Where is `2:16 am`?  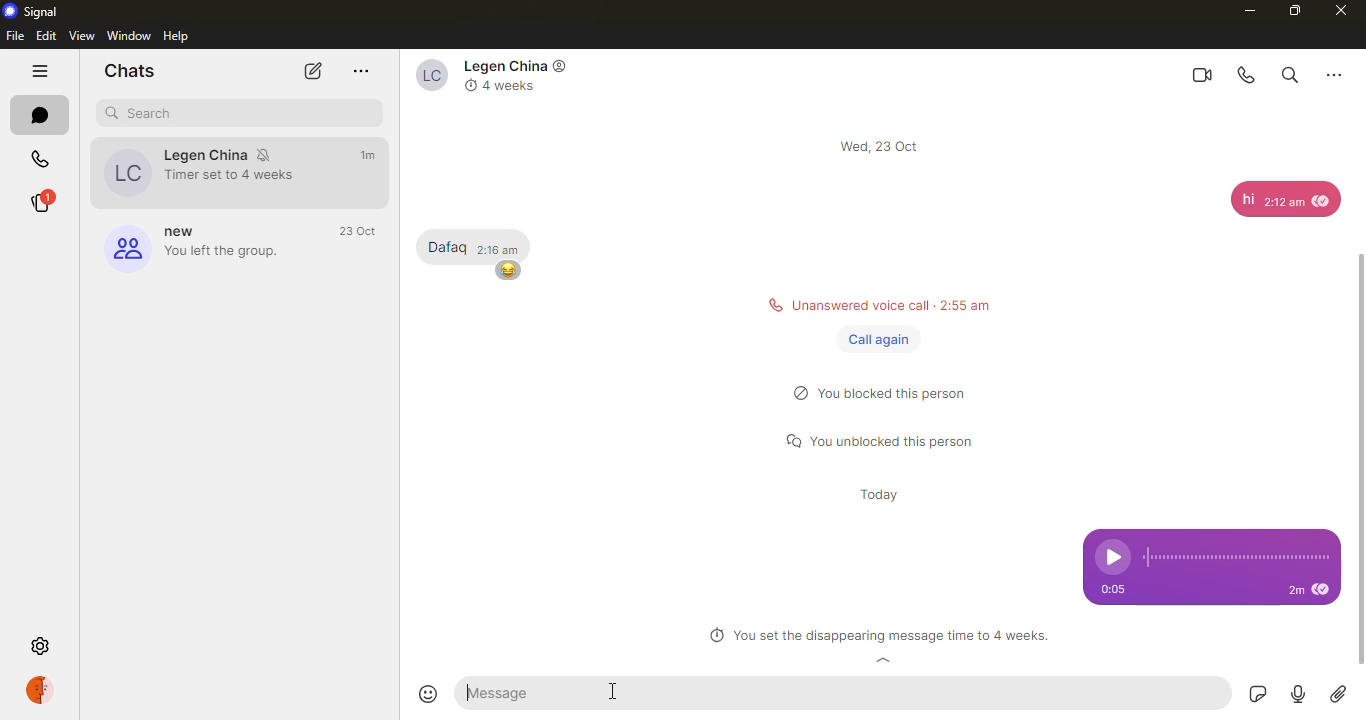
2:16 am is located at coordinates (498, 248).